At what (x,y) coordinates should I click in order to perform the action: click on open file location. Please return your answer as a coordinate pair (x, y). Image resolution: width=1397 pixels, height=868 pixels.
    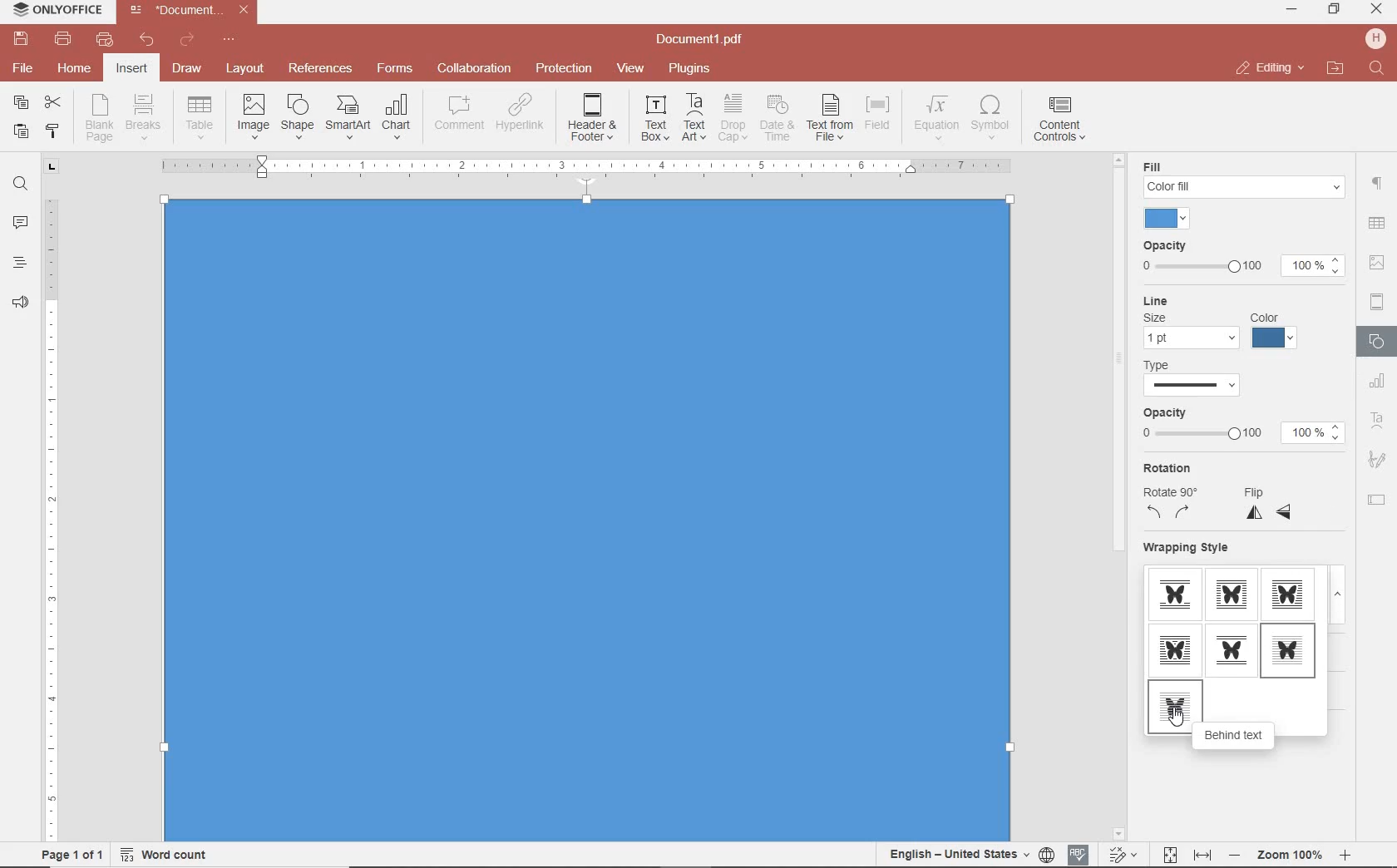
    Looking at the image, I should click on (1335, 69).